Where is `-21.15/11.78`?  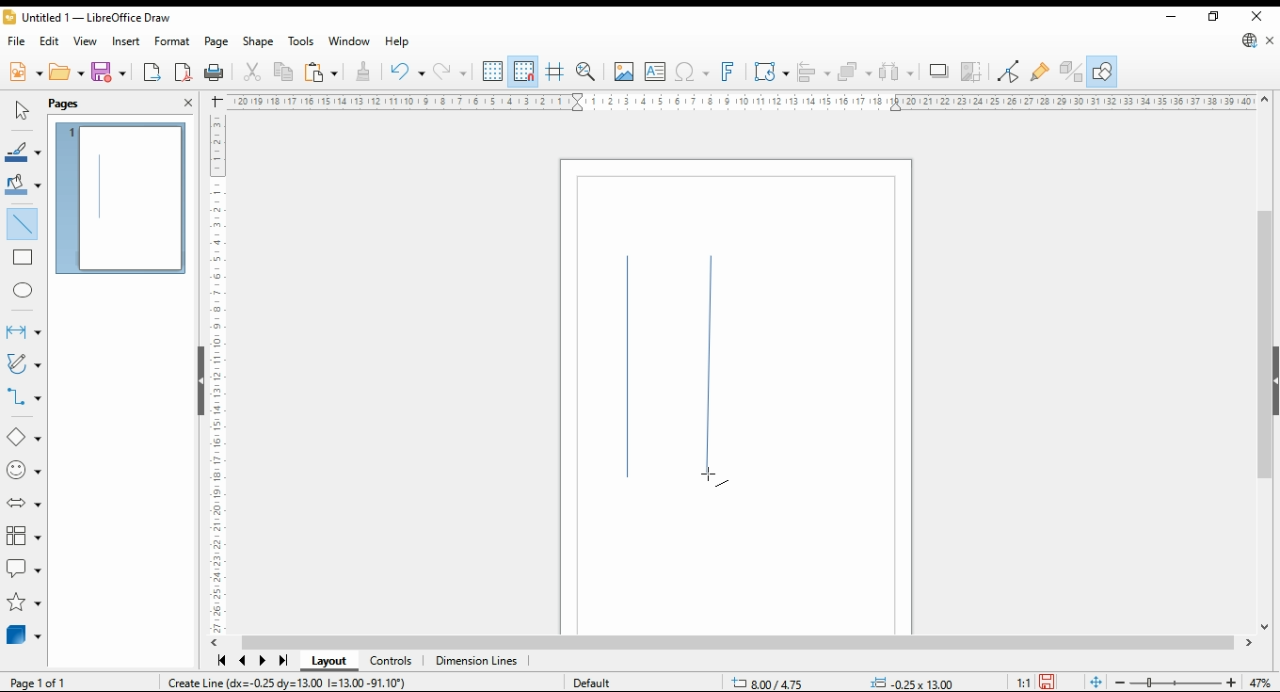 -21.15/11.78 is located at coordinates (776, 682).